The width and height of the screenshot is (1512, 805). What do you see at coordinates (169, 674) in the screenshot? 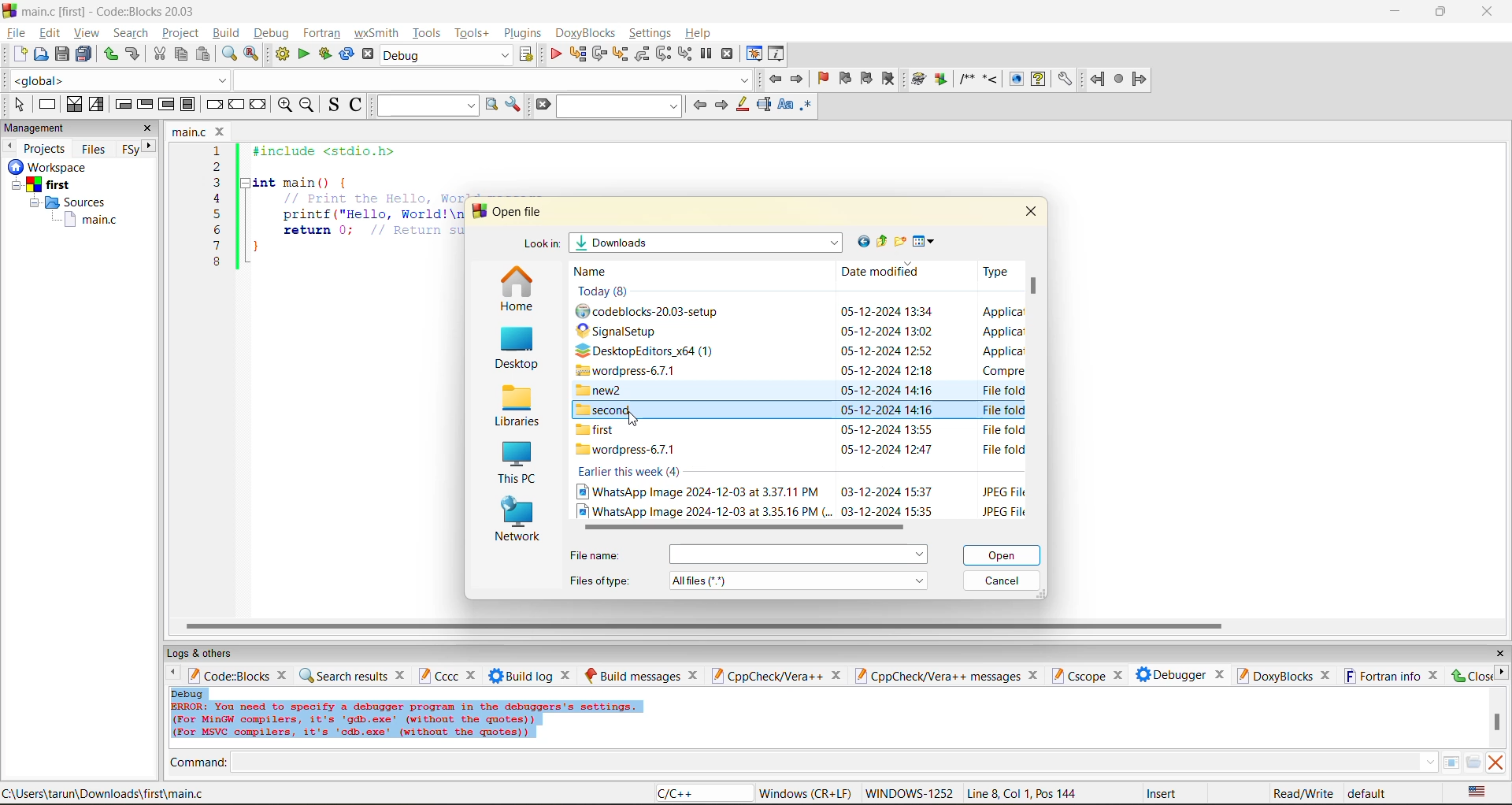
I see `previous` at bounding box center [169, 674].